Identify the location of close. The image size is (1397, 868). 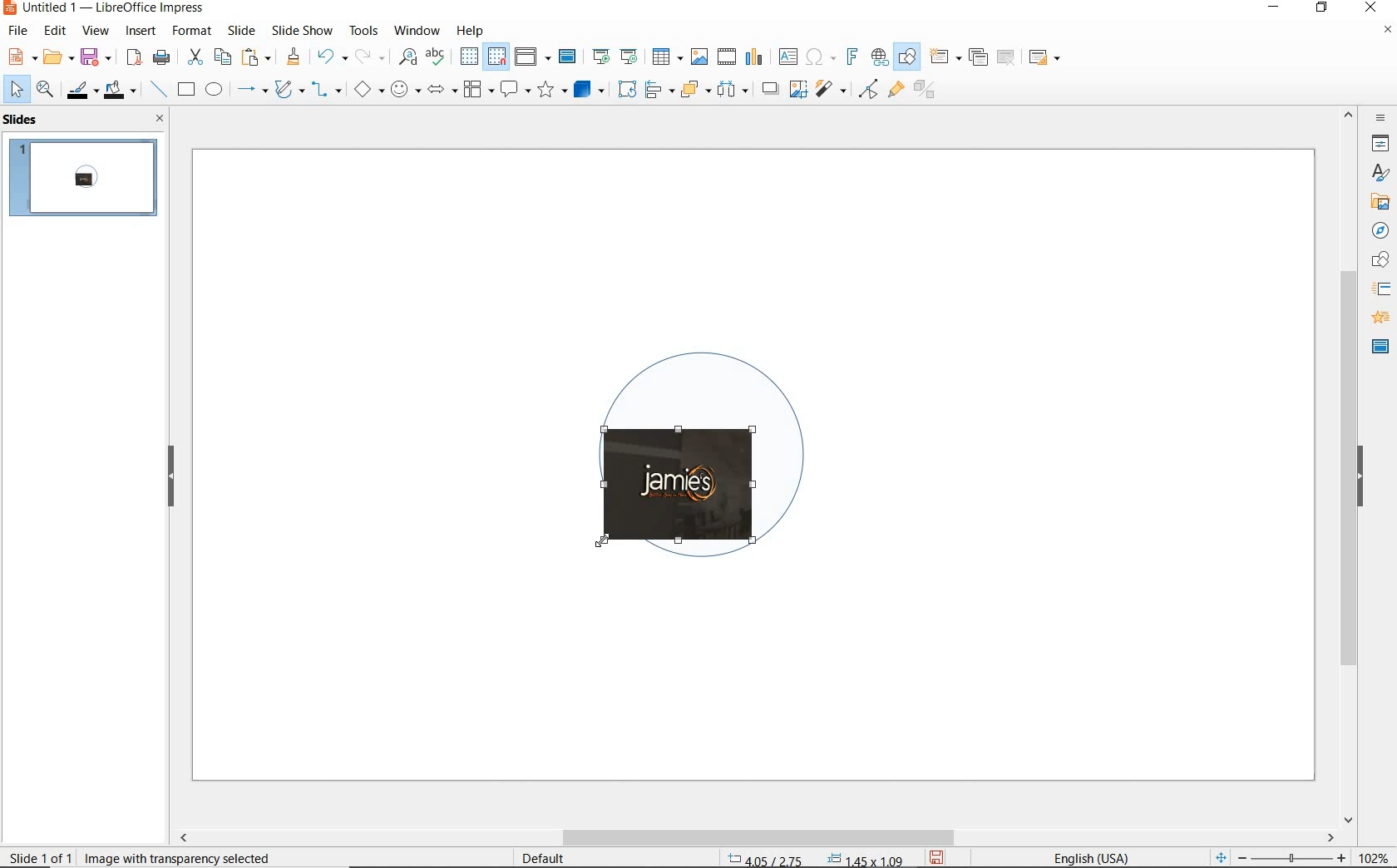
(155, 118).